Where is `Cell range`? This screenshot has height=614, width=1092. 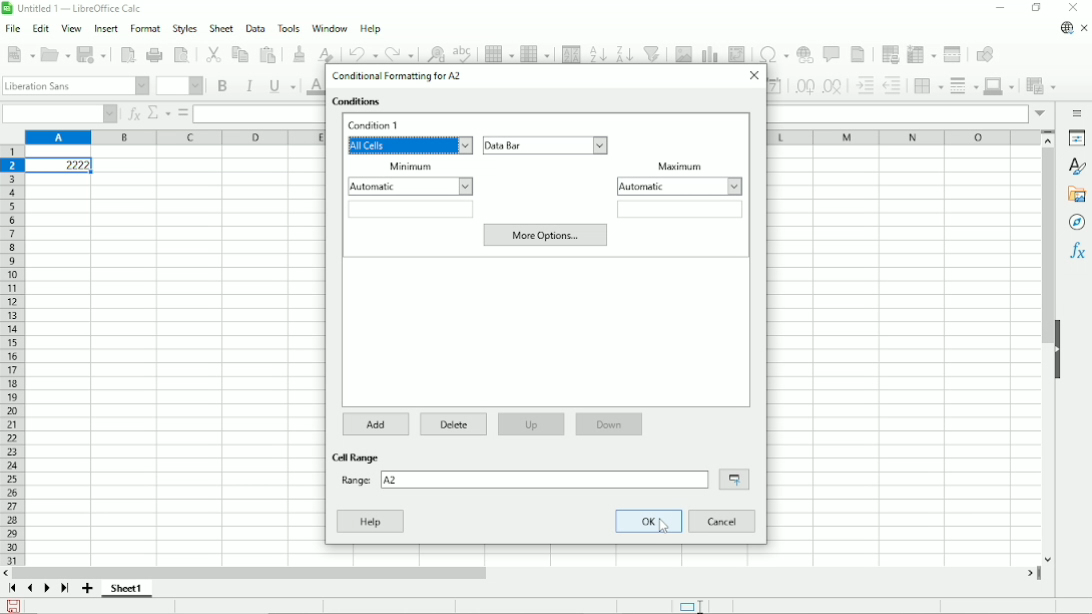 Cell range is located at coordinates (354, 457).